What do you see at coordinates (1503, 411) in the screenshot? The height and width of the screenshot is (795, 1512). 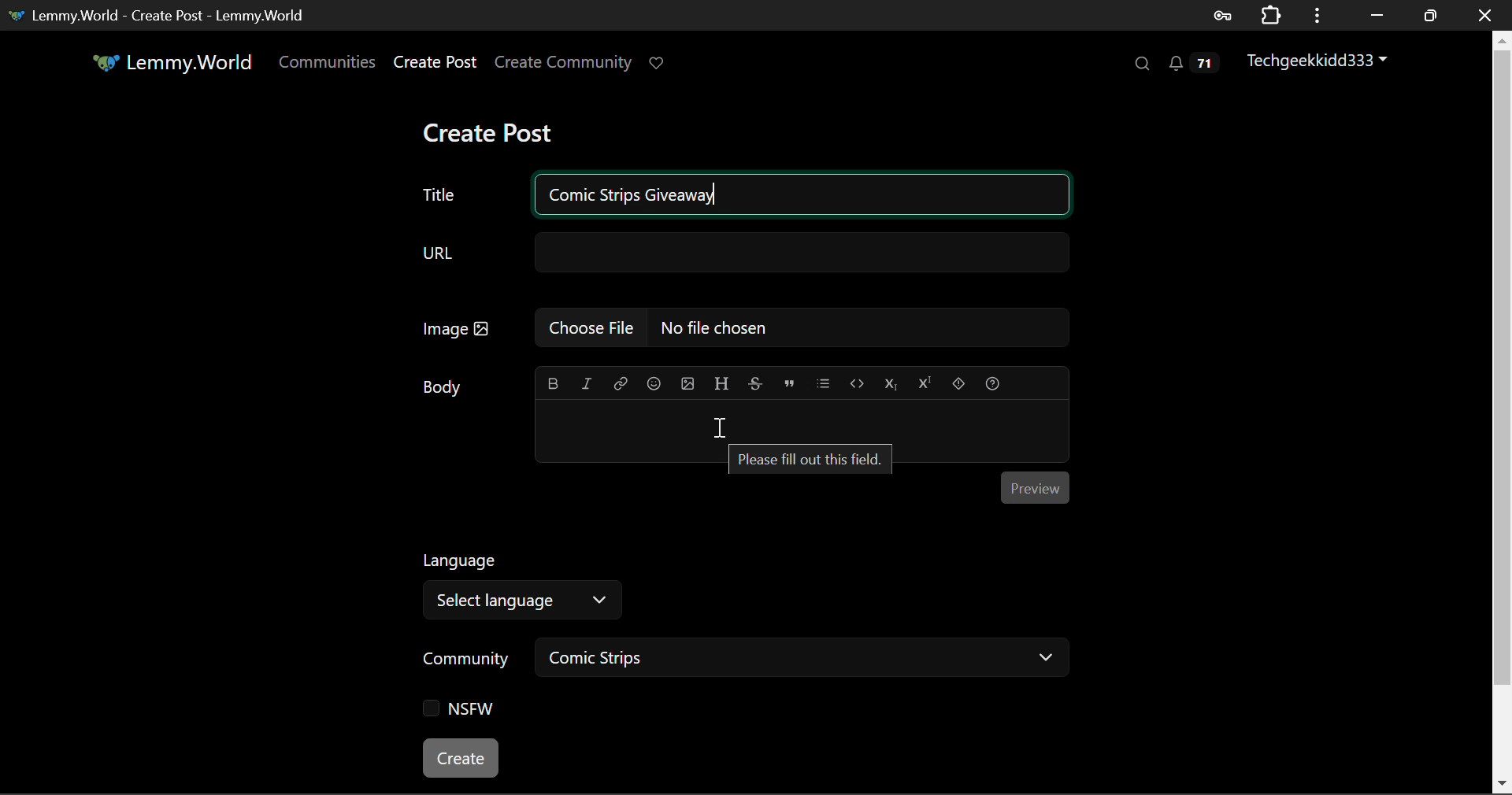 I see `Scroll Bar` at bounding box center [1503, 411].